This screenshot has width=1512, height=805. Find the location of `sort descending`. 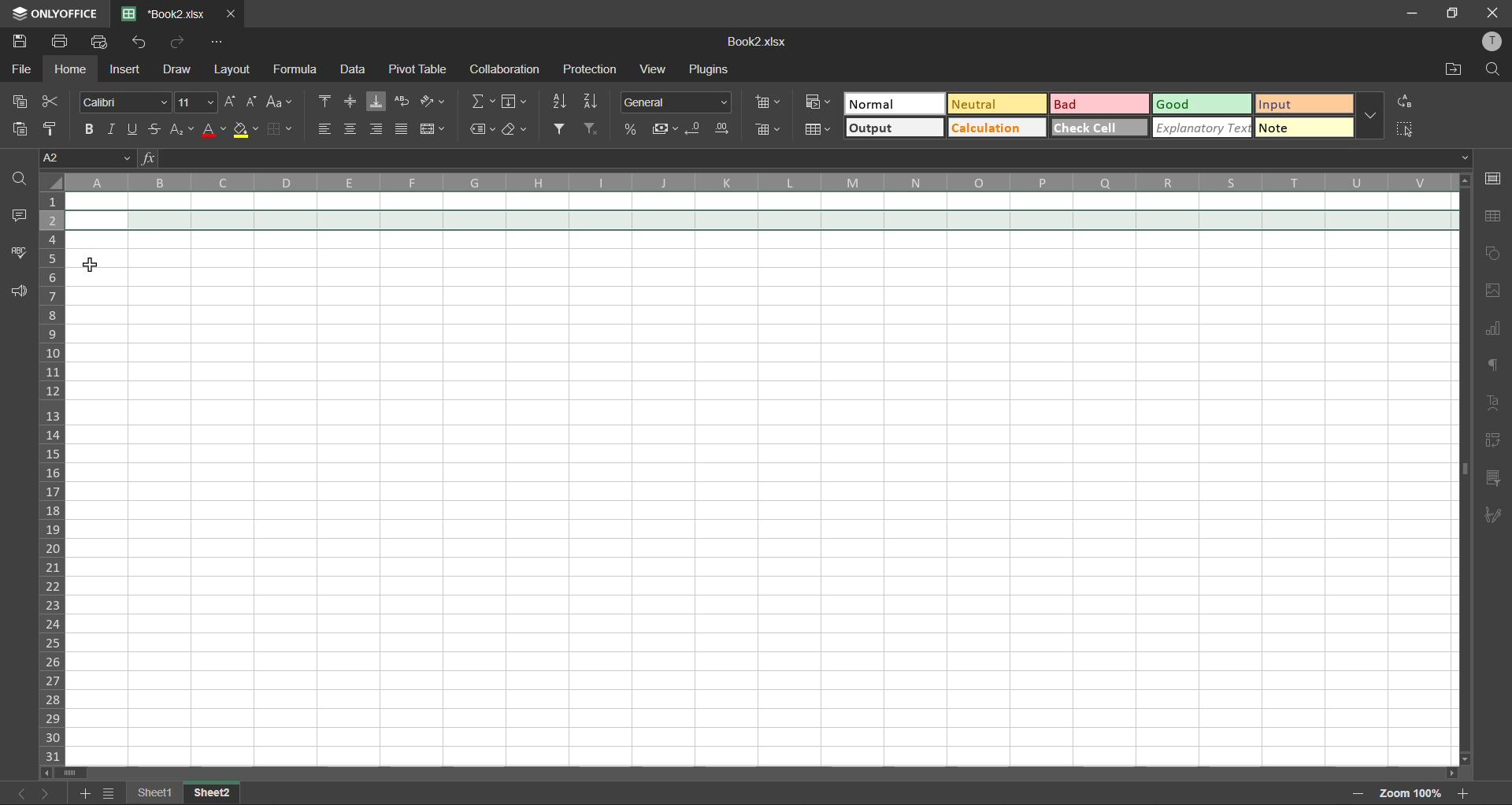

sort descending is located at coordinates (594, 102).